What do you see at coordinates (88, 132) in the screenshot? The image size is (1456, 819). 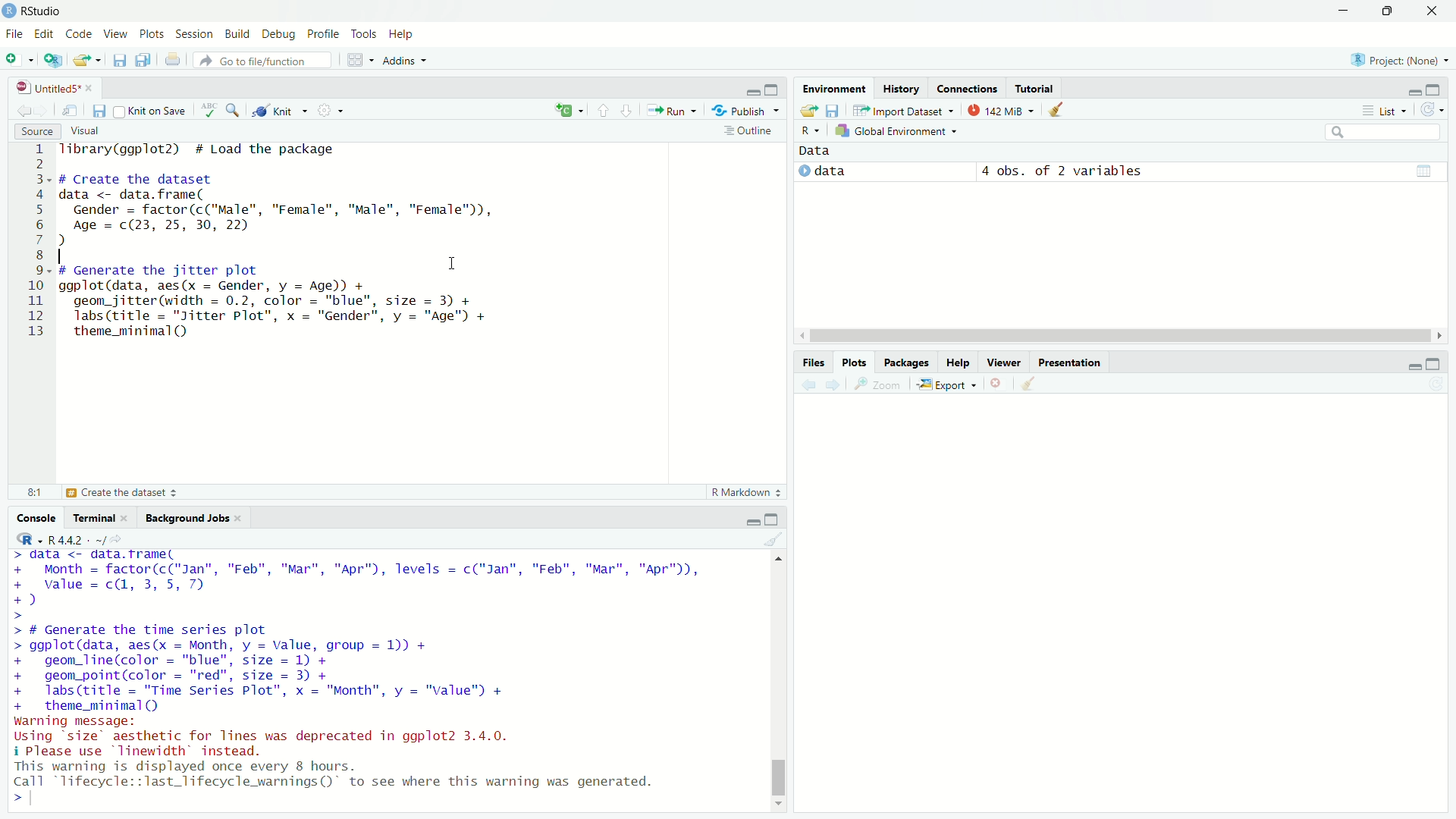 I see `visual` at bounding box center [88, 132].